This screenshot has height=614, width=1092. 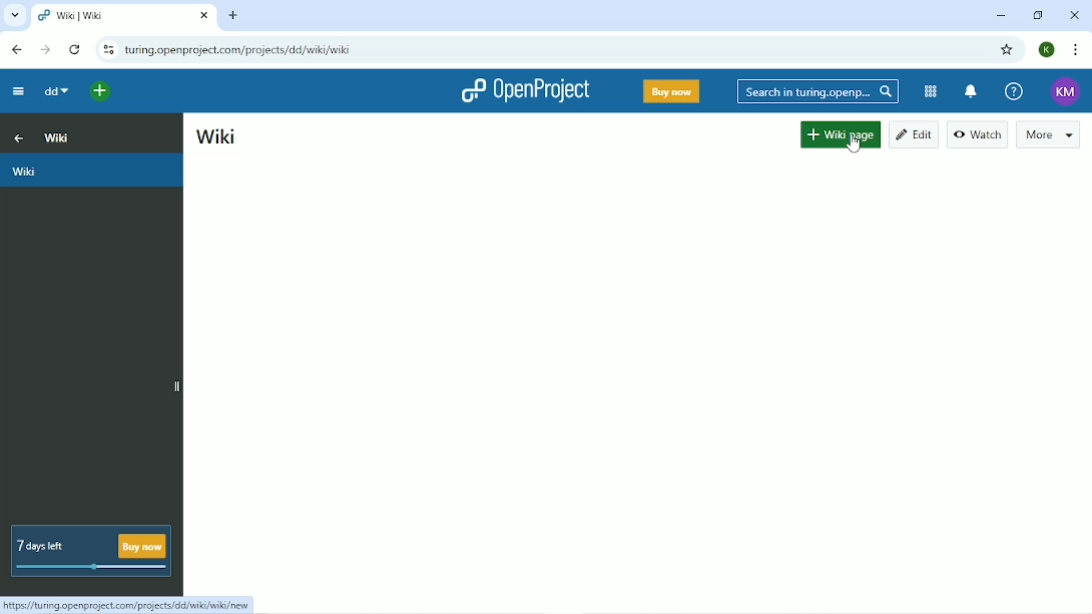 I want to click on Site, so click(x=240, y=49).